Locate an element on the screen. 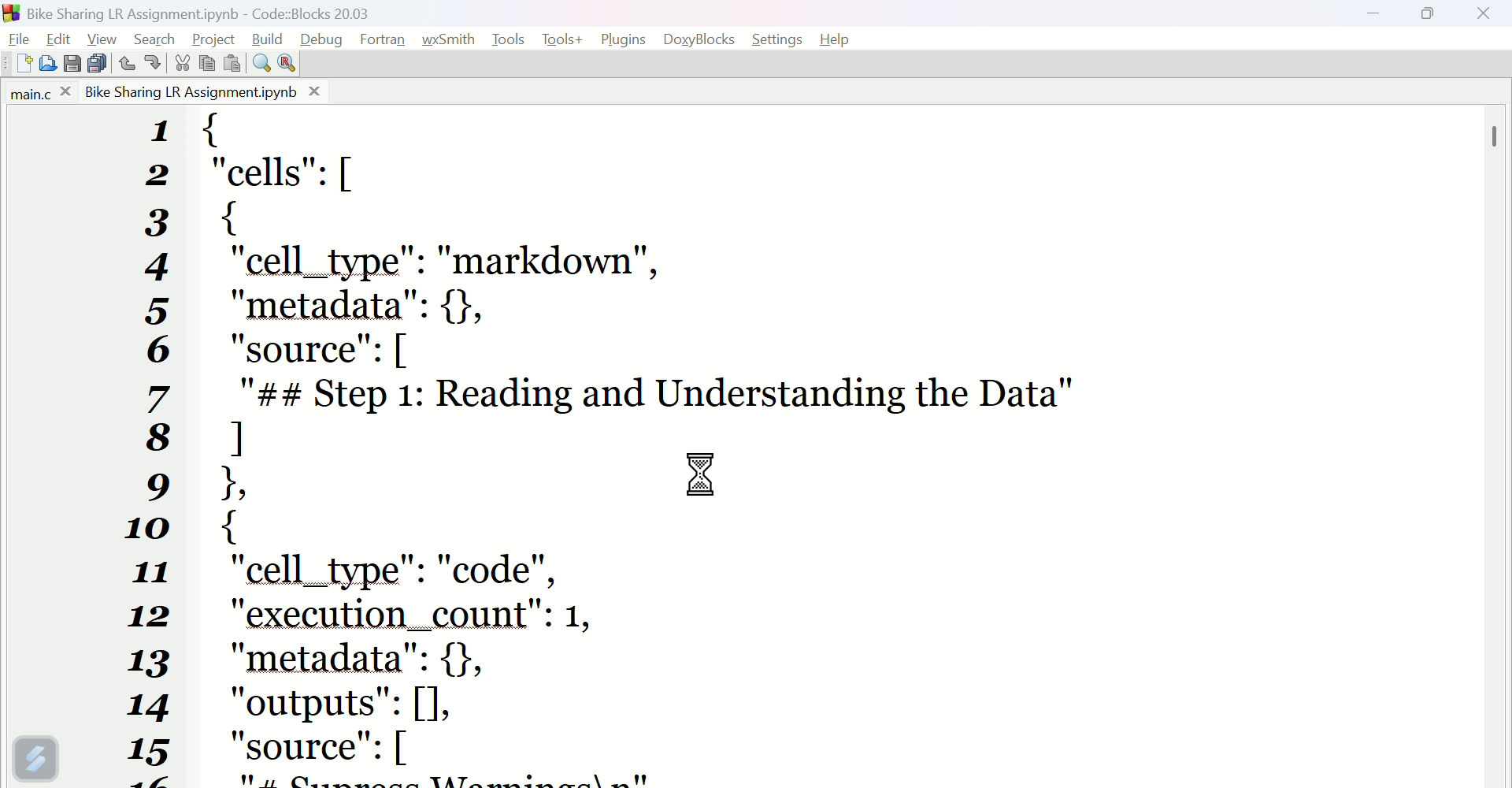 This screenshot has width=1512, height=788. maximise is located at coordinates (1434, 17).